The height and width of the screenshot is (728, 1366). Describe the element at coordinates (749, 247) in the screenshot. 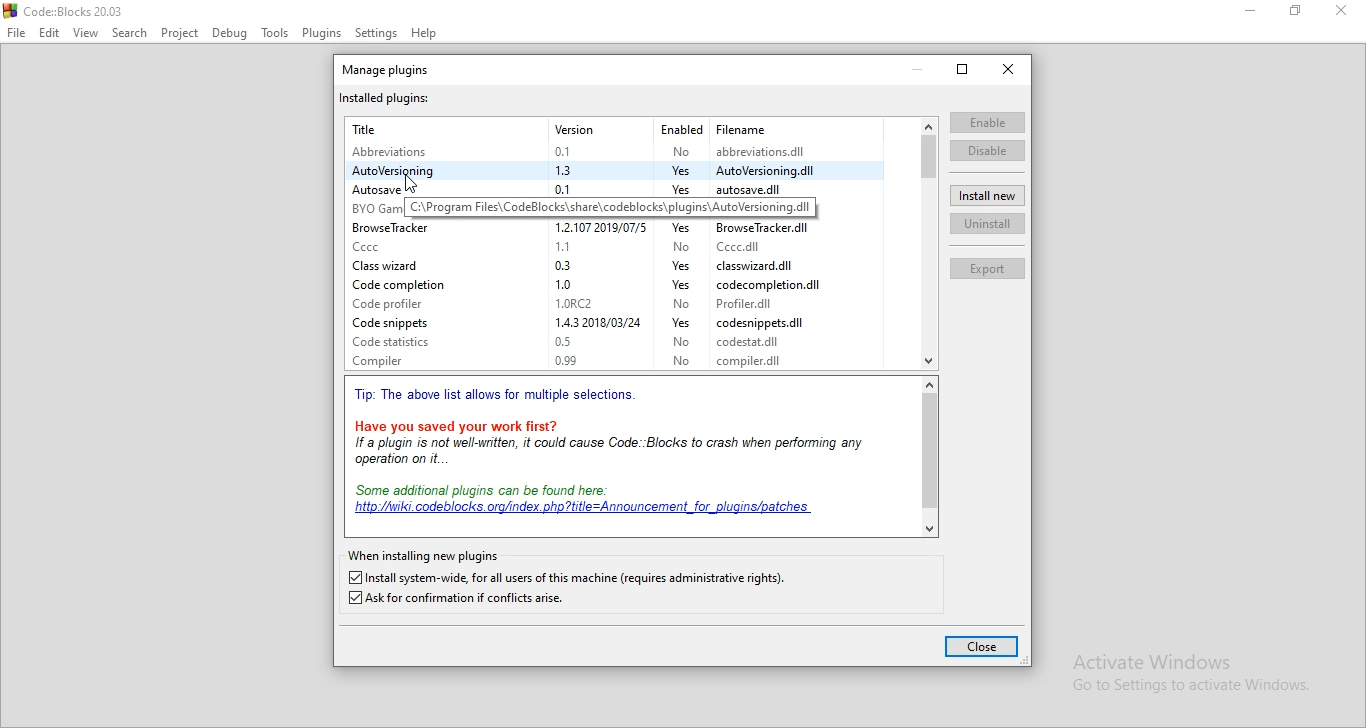

I see `Cece.dll` at that location.